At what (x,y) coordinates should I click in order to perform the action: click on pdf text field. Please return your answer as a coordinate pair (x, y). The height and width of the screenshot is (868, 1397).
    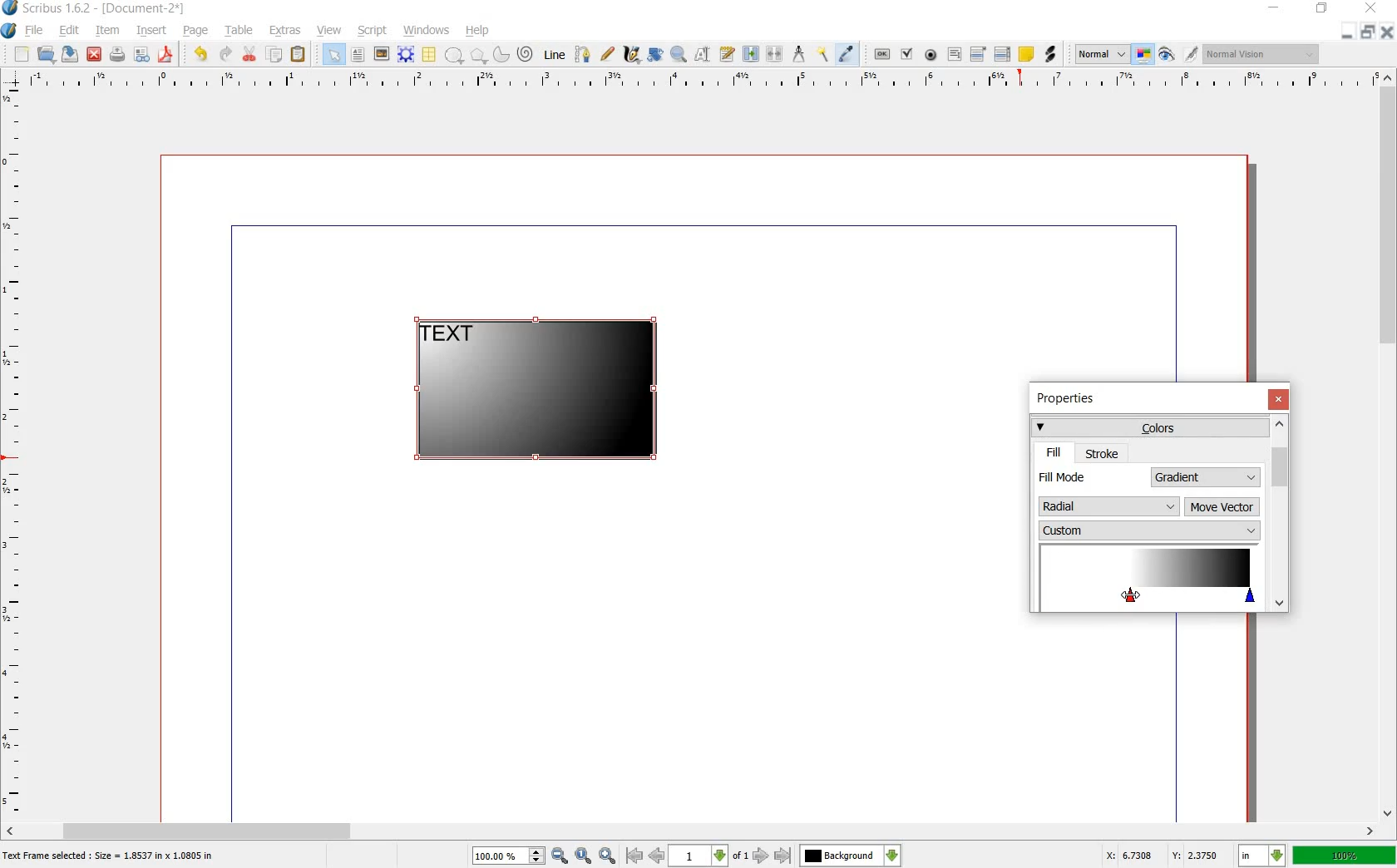
    Looking at the image, I should click on (954, 54).